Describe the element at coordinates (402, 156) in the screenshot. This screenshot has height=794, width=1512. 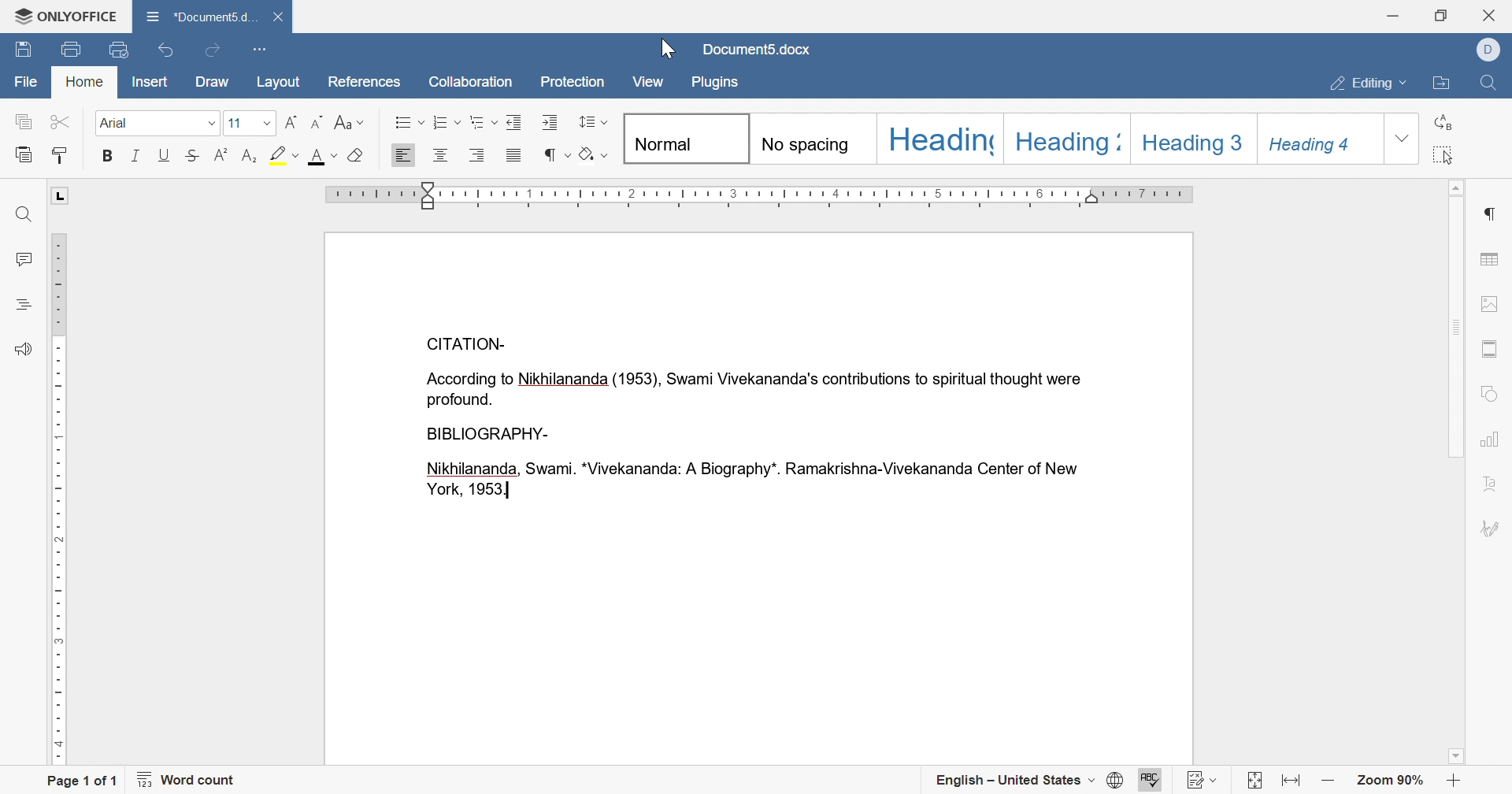
I see `align left` at that location.